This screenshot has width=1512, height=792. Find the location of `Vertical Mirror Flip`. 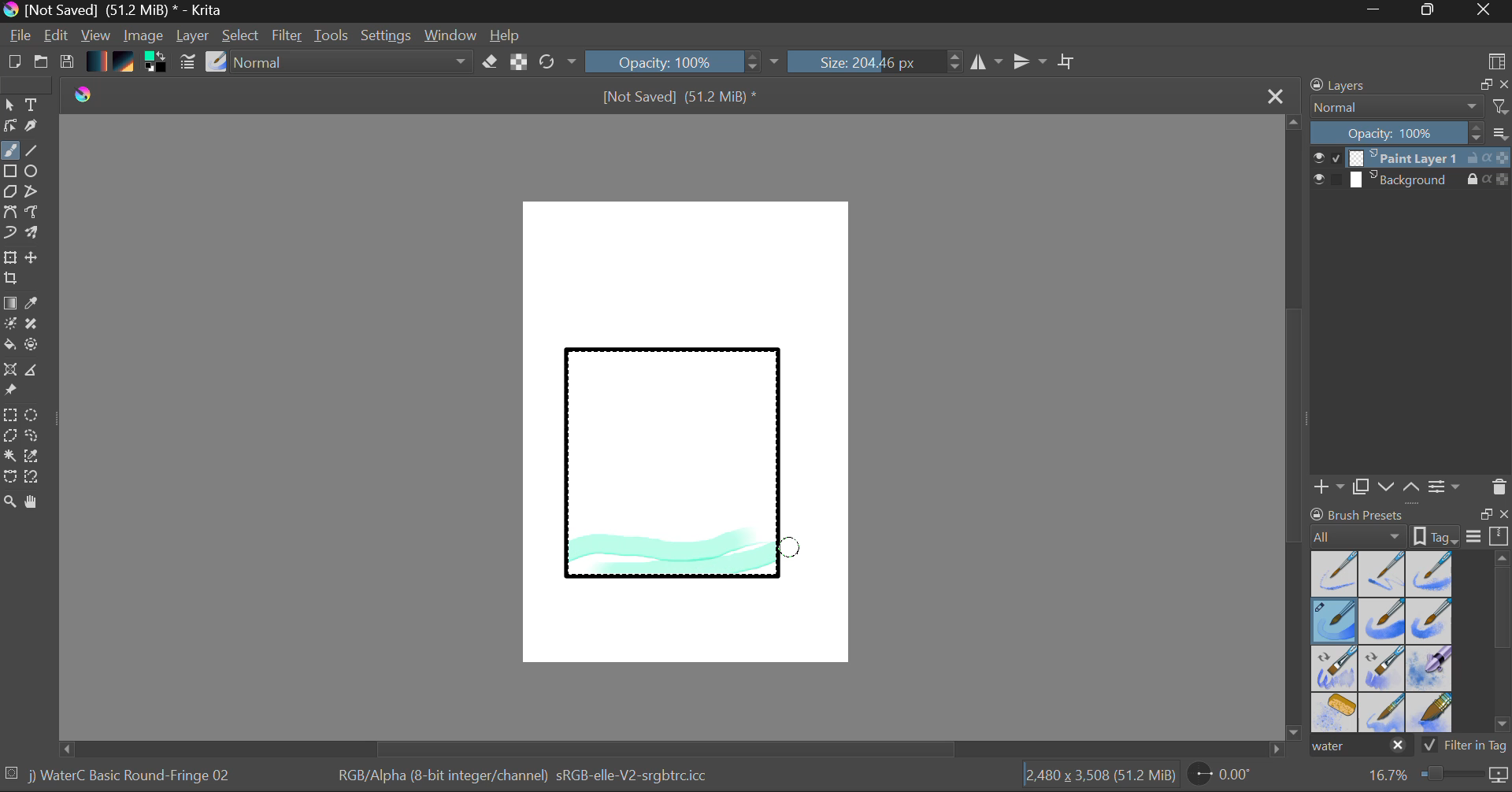

Vertical Mirror Flip is located at coordinates (986, 62).